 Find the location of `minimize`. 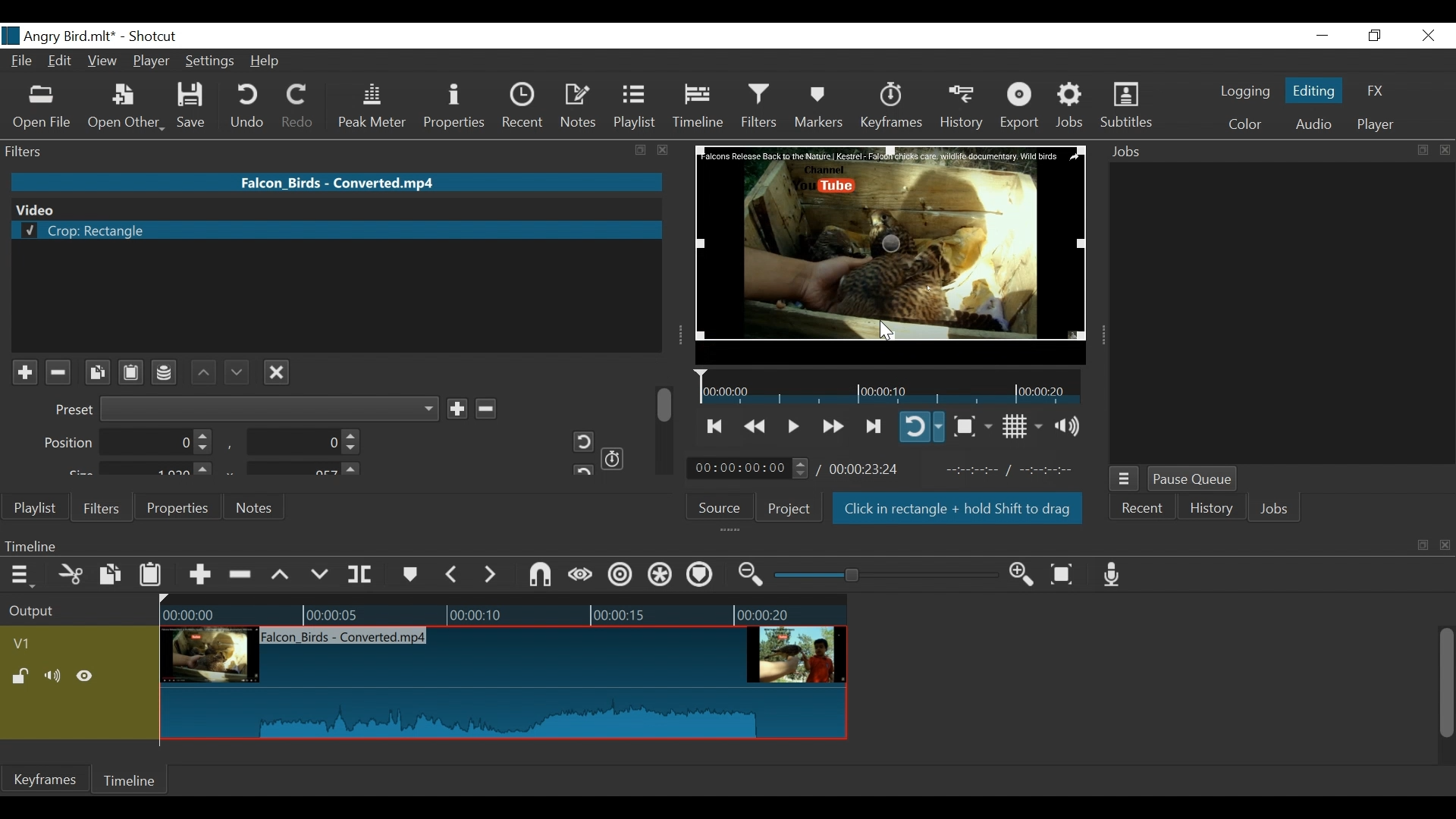

minimize is located at coordinates (1322, 36).